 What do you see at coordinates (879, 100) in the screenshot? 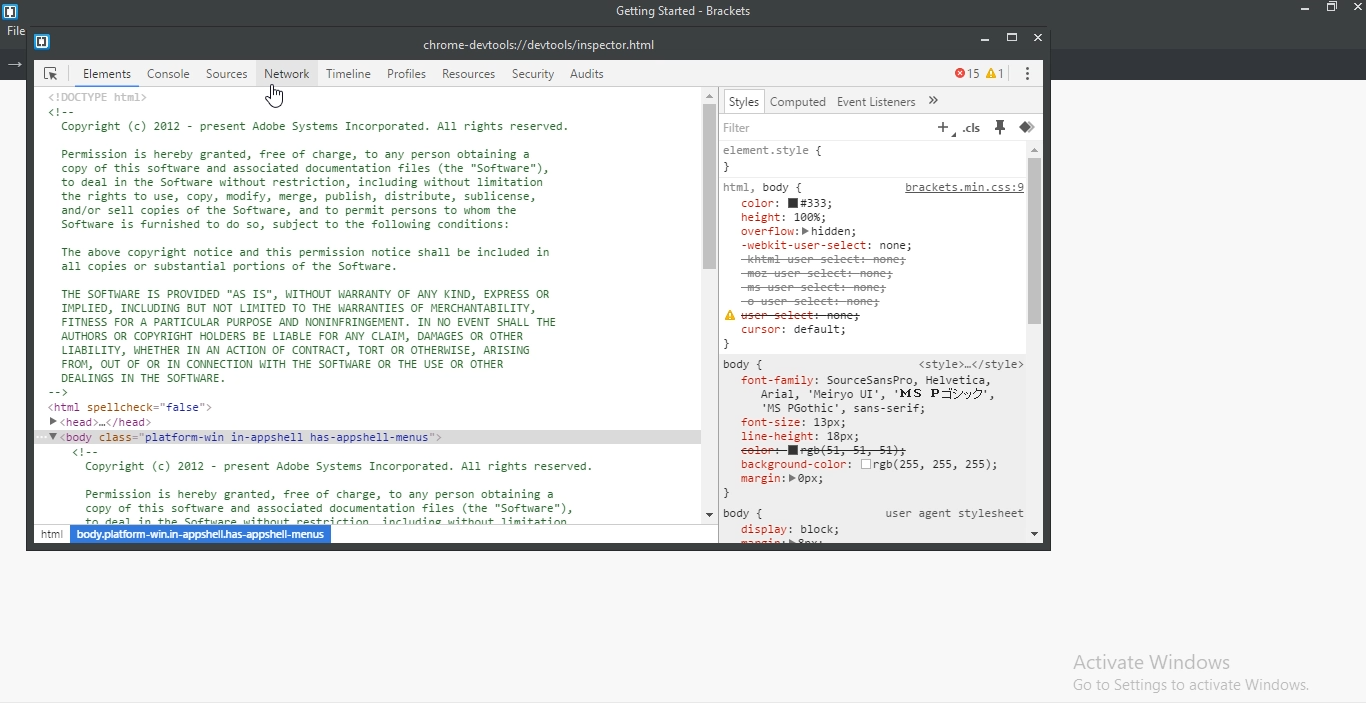
I see `Event Listeners` at bounding box center [879, 100].